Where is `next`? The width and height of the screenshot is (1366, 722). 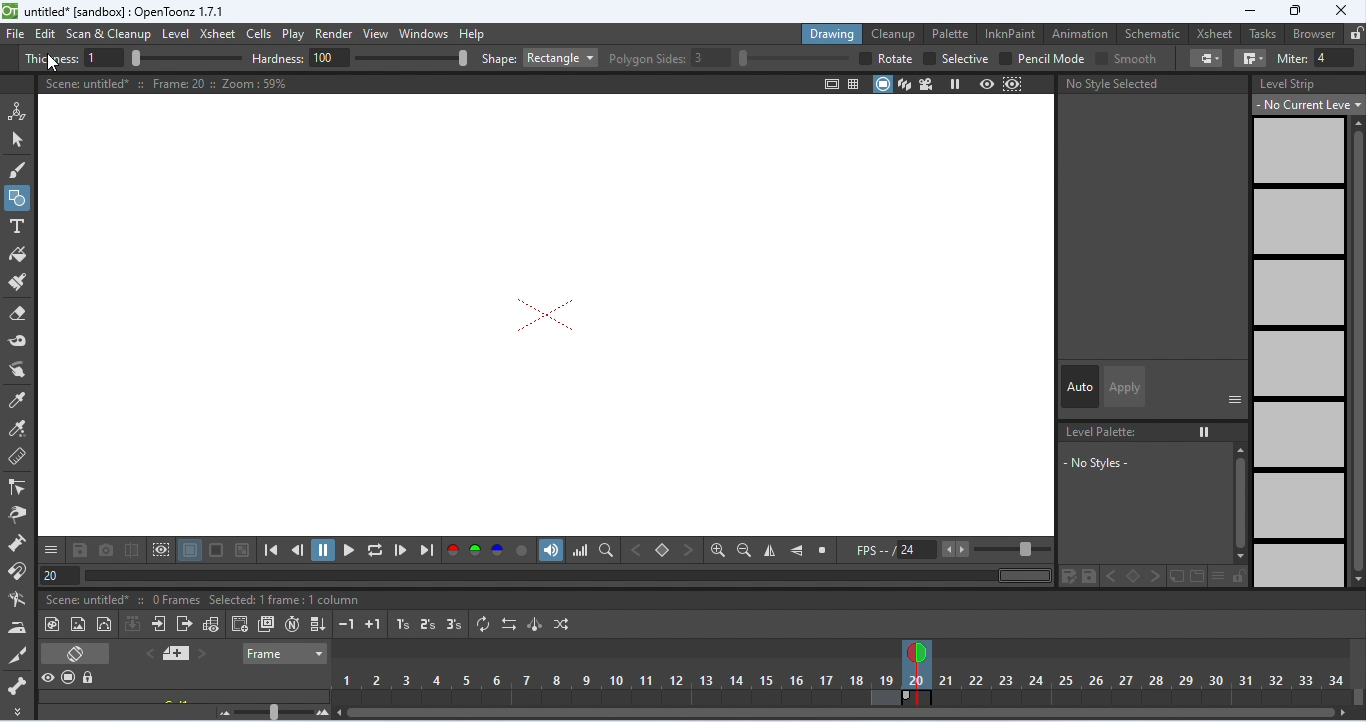 next is located at coordinates (208, 653).